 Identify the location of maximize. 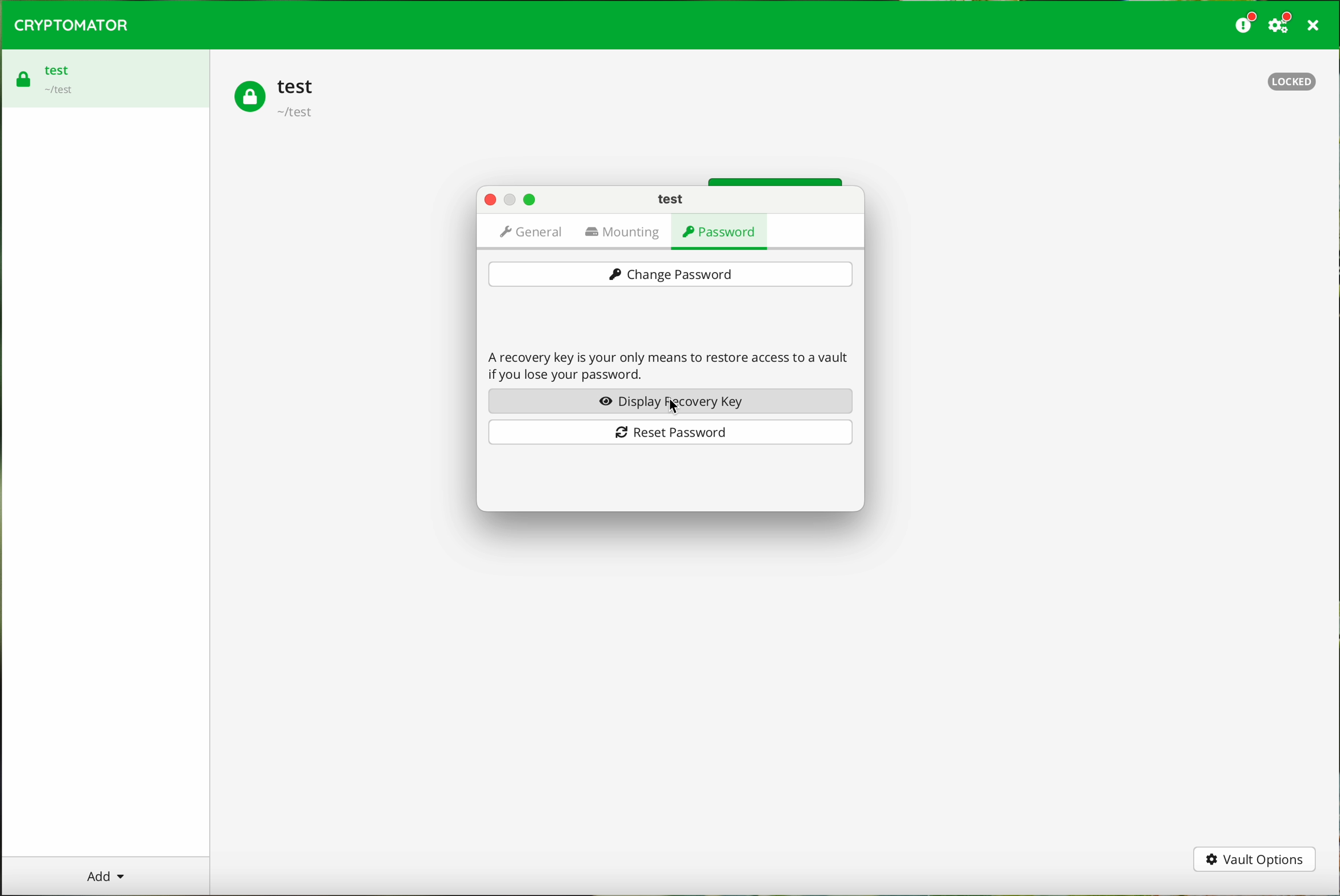
(533, 198).